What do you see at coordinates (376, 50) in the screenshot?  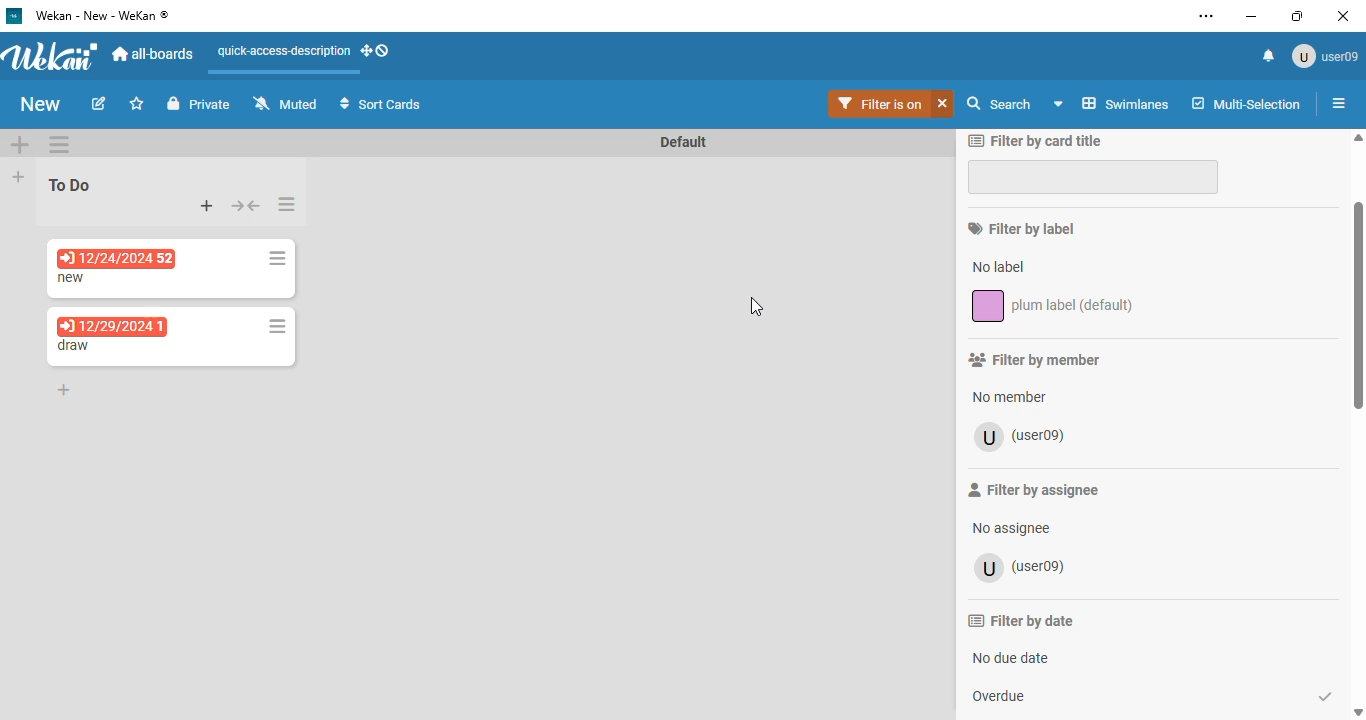 I see `show-desktop-drag-handles` at bounding box center [376, 50].